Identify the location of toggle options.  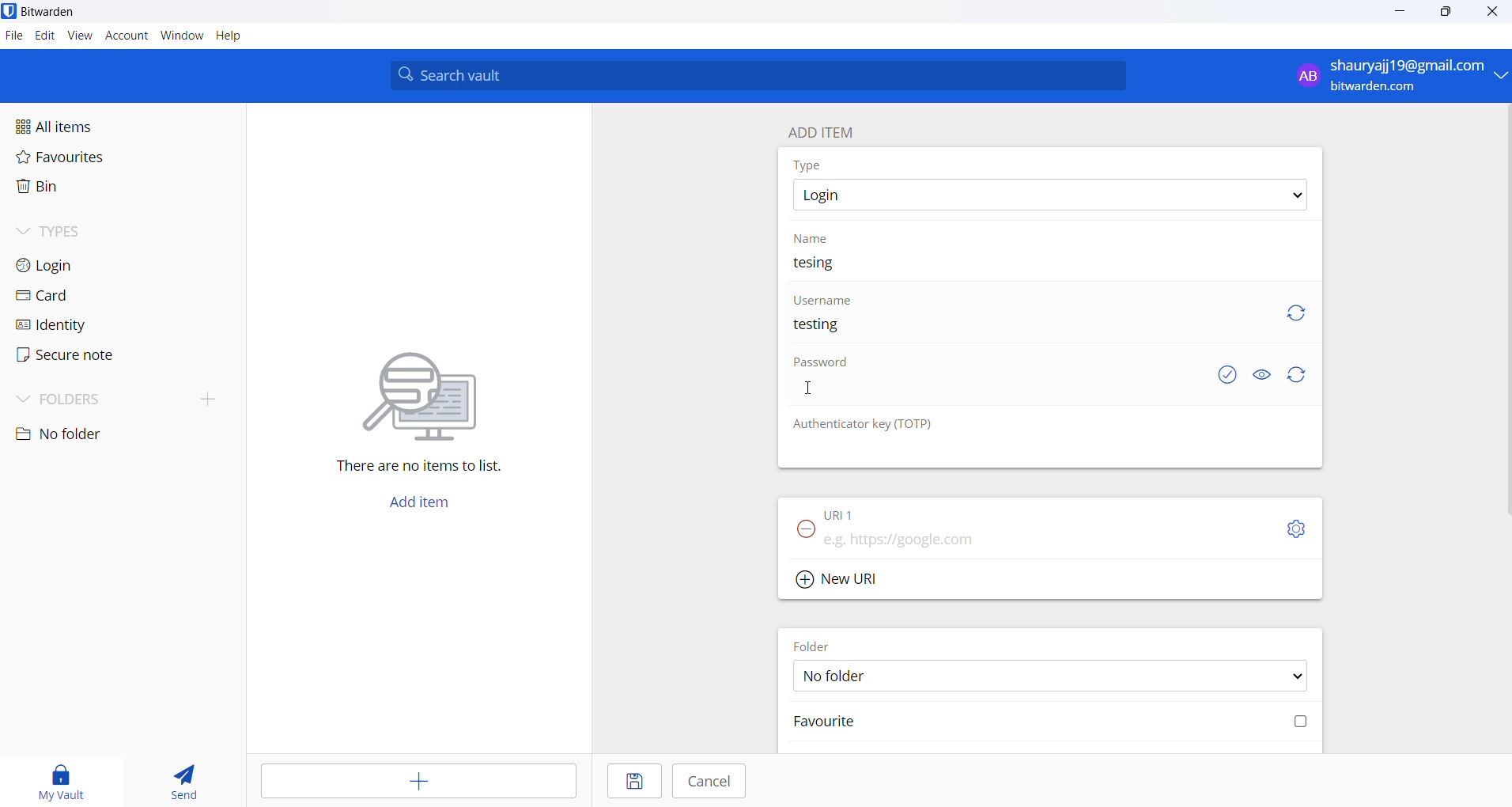
(1296, 529).